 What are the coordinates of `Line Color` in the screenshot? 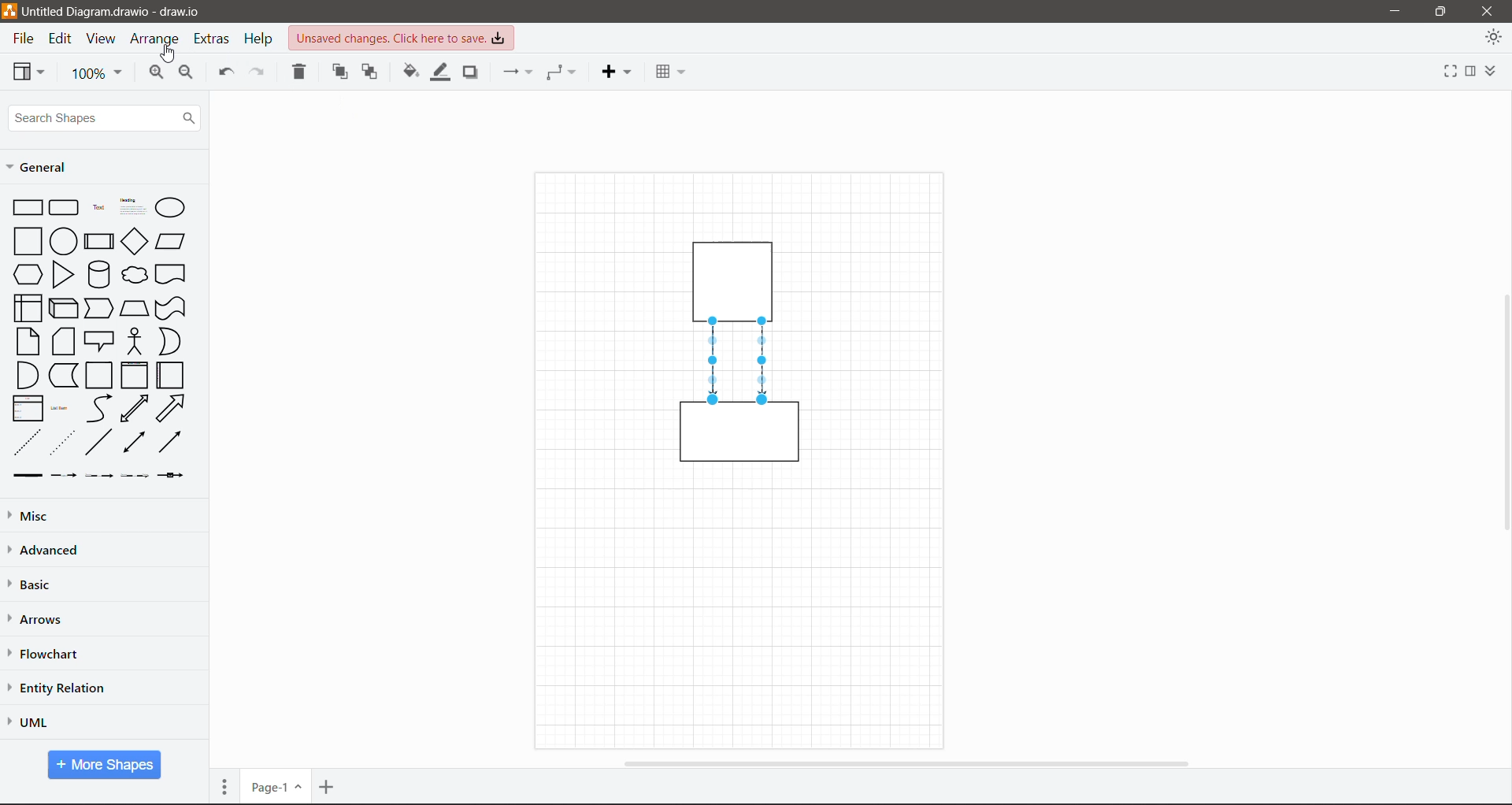 It's located at (439, 73).